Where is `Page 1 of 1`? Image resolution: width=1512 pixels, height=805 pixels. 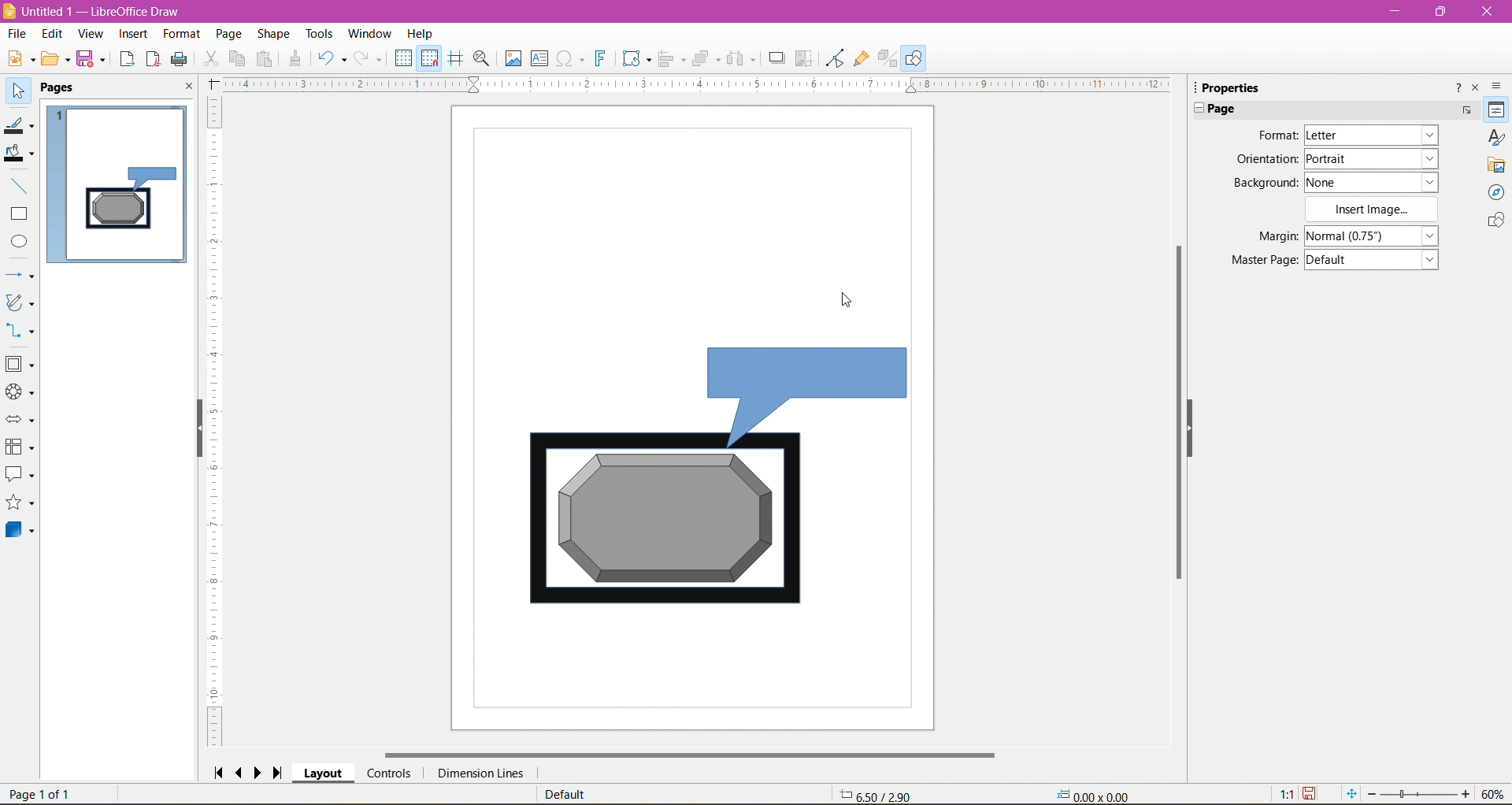 Page 1 of 1 is located at coordinates (43, 795).